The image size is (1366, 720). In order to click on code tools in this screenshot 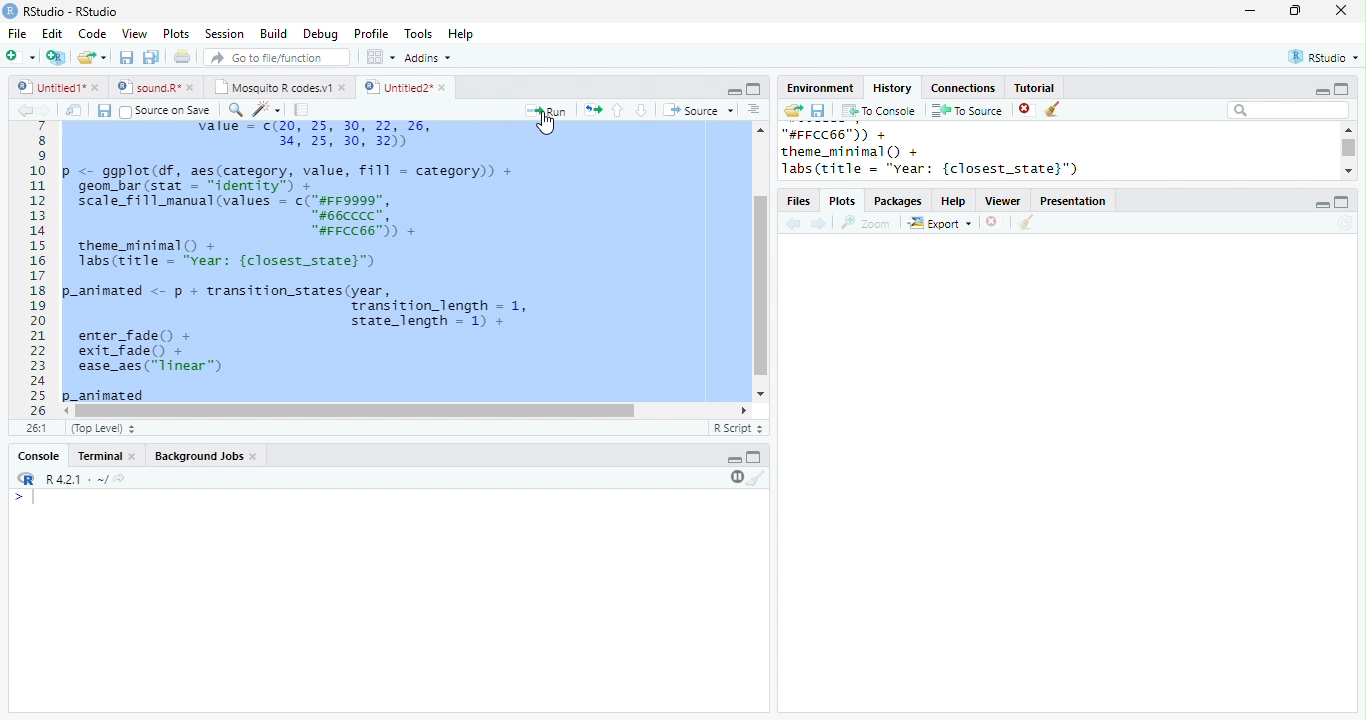, I will do `click(266, 109)`.